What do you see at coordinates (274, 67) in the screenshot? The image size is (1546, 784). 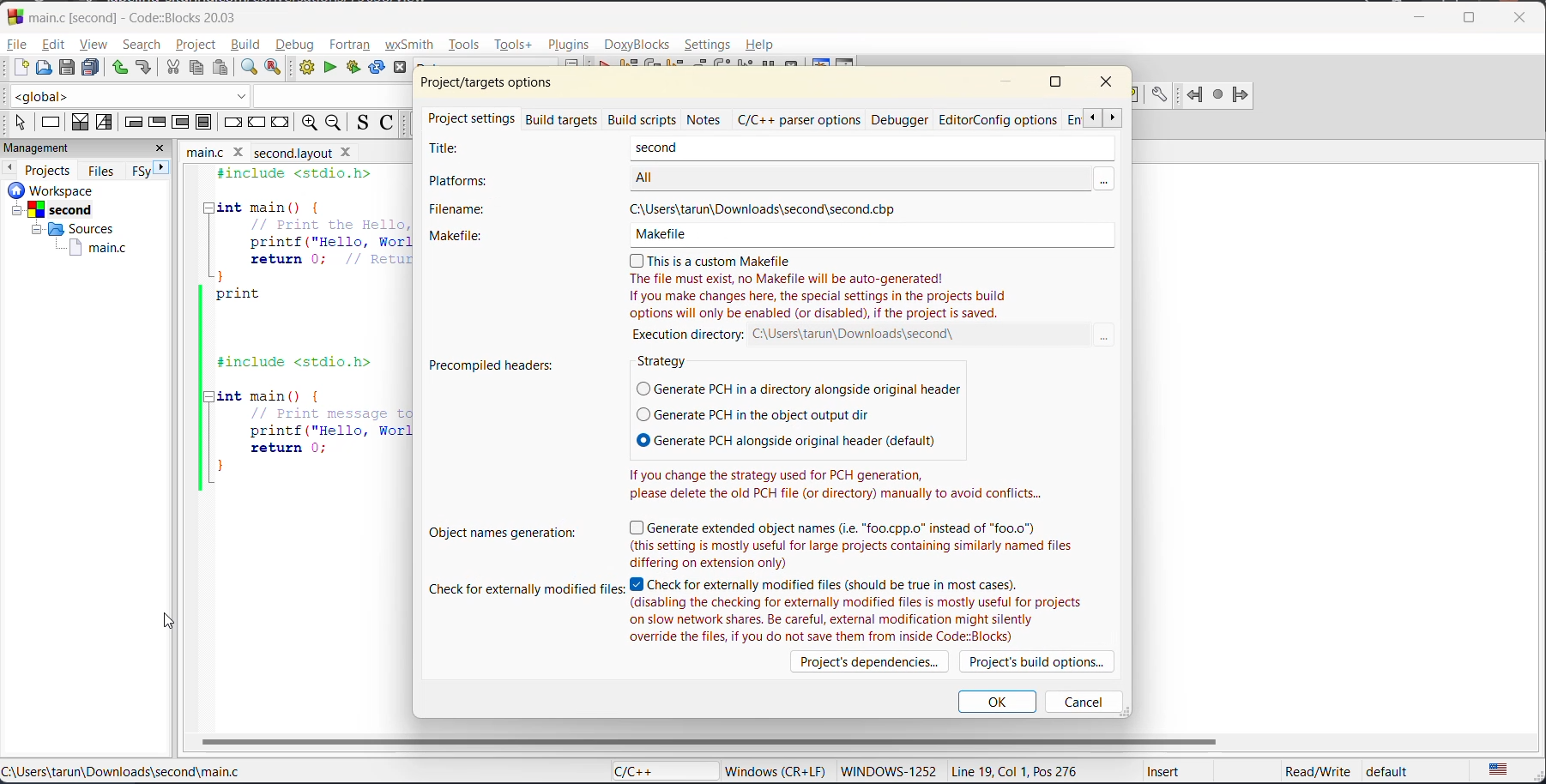 I see `replace` at bounding box center [274, 67].